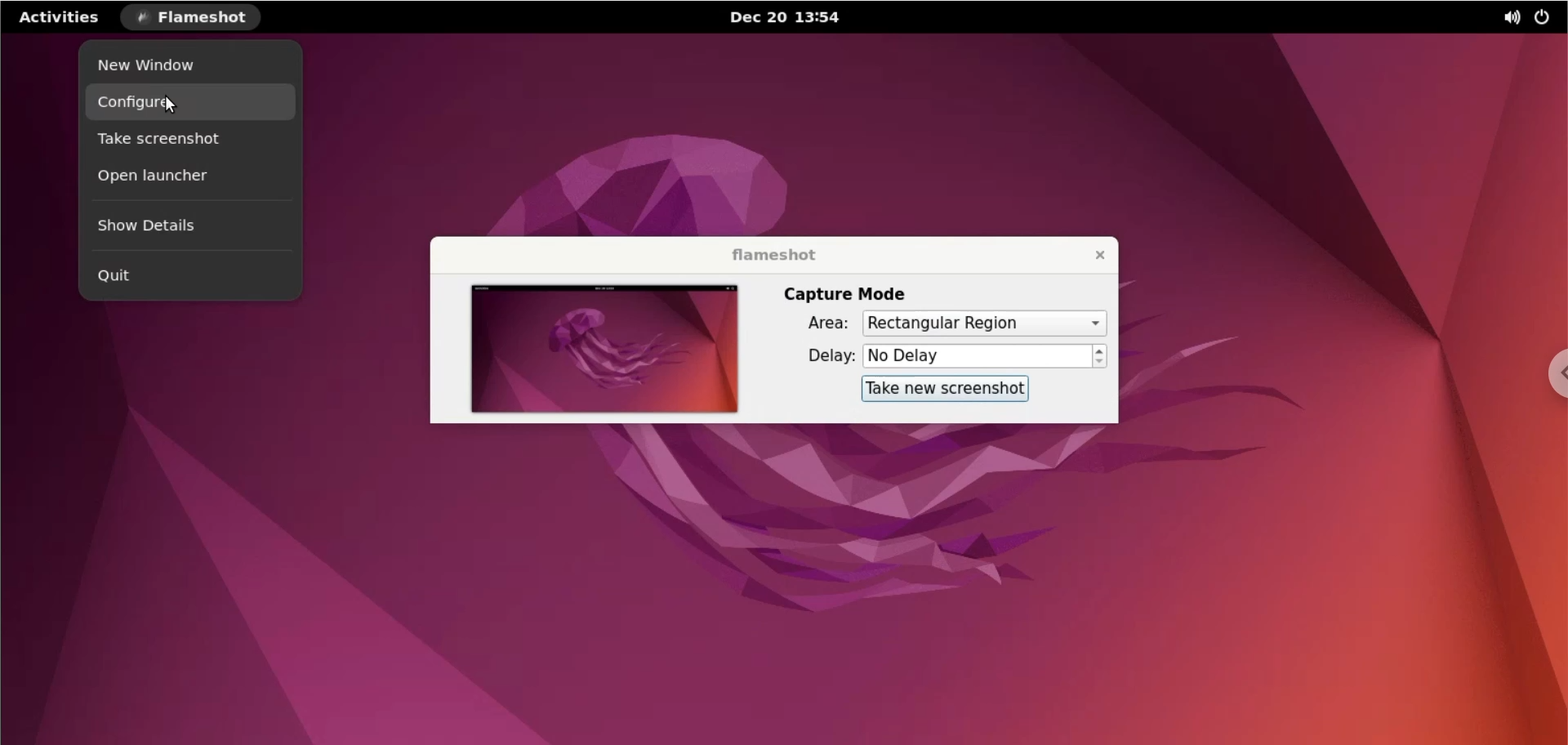 The width and height of the screenshot is (1568, 745). Describe the element at coordinates (822, 322) in the screenshot. I see `area:` at that location.